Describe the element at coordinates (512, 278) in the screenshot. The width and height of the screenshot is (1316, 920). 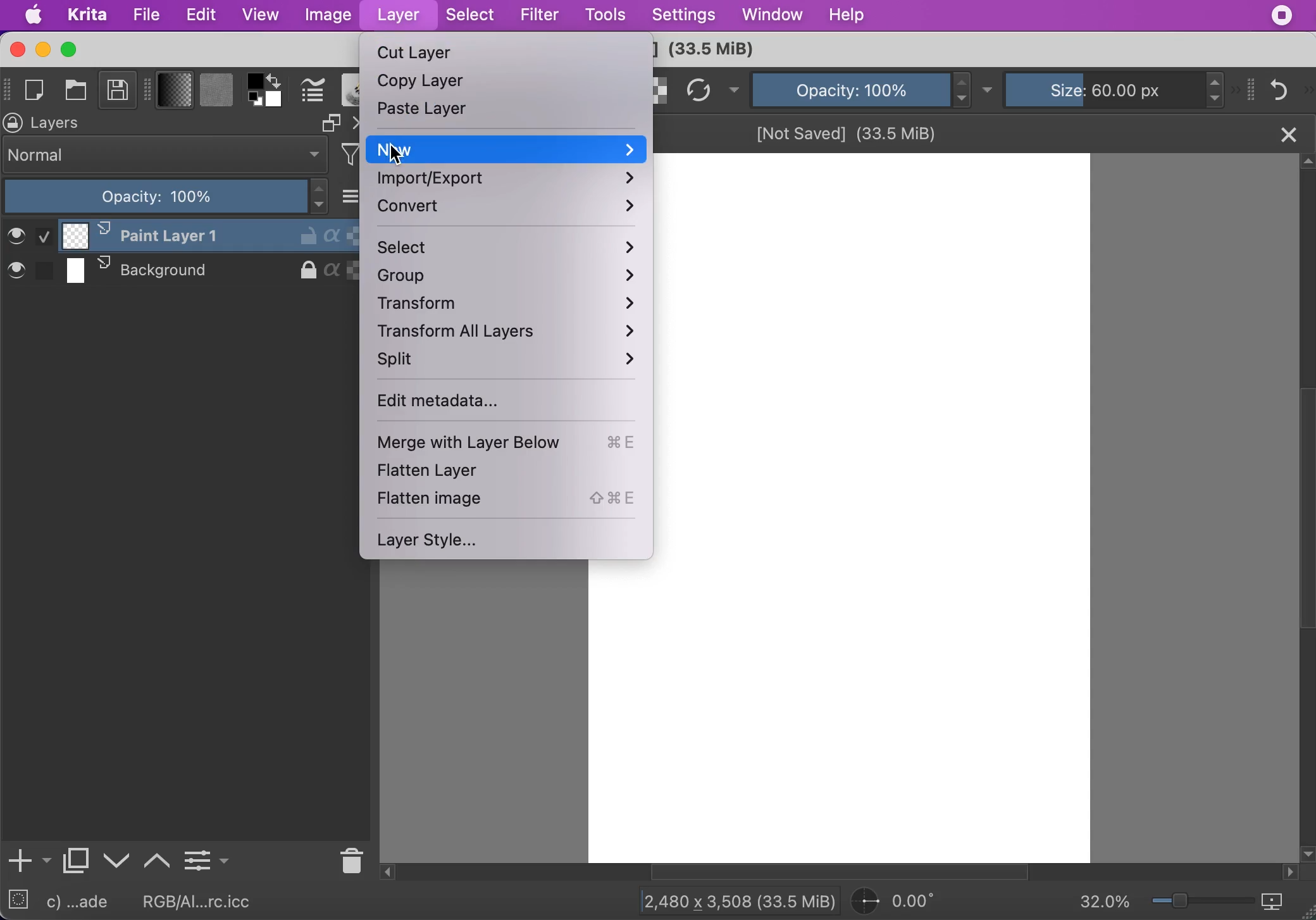
I see `group` at that location.